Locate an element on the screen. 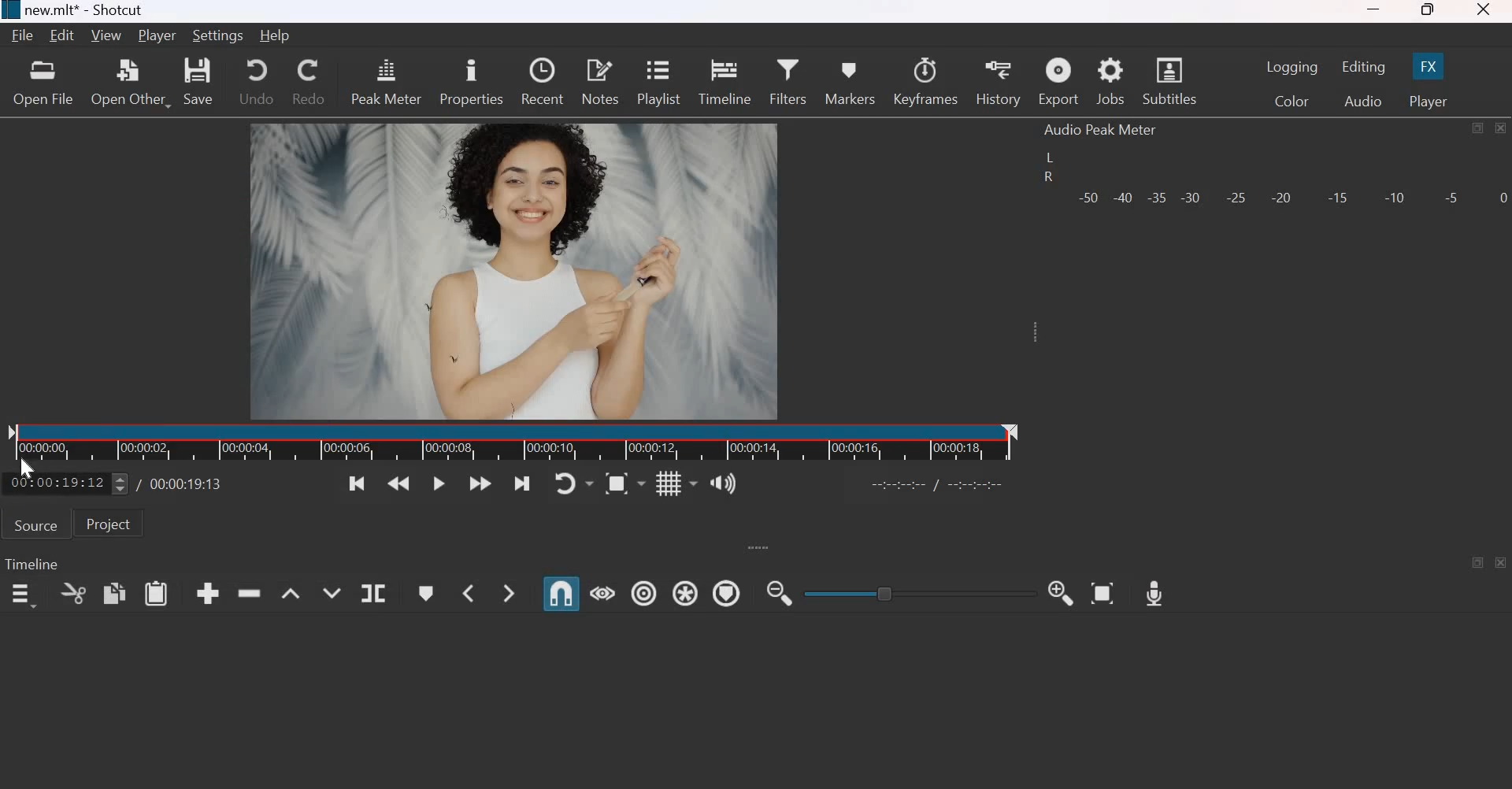 This screenshot has height=789, width=1512. Scrub while dragging is located at coordinates (603, 593).